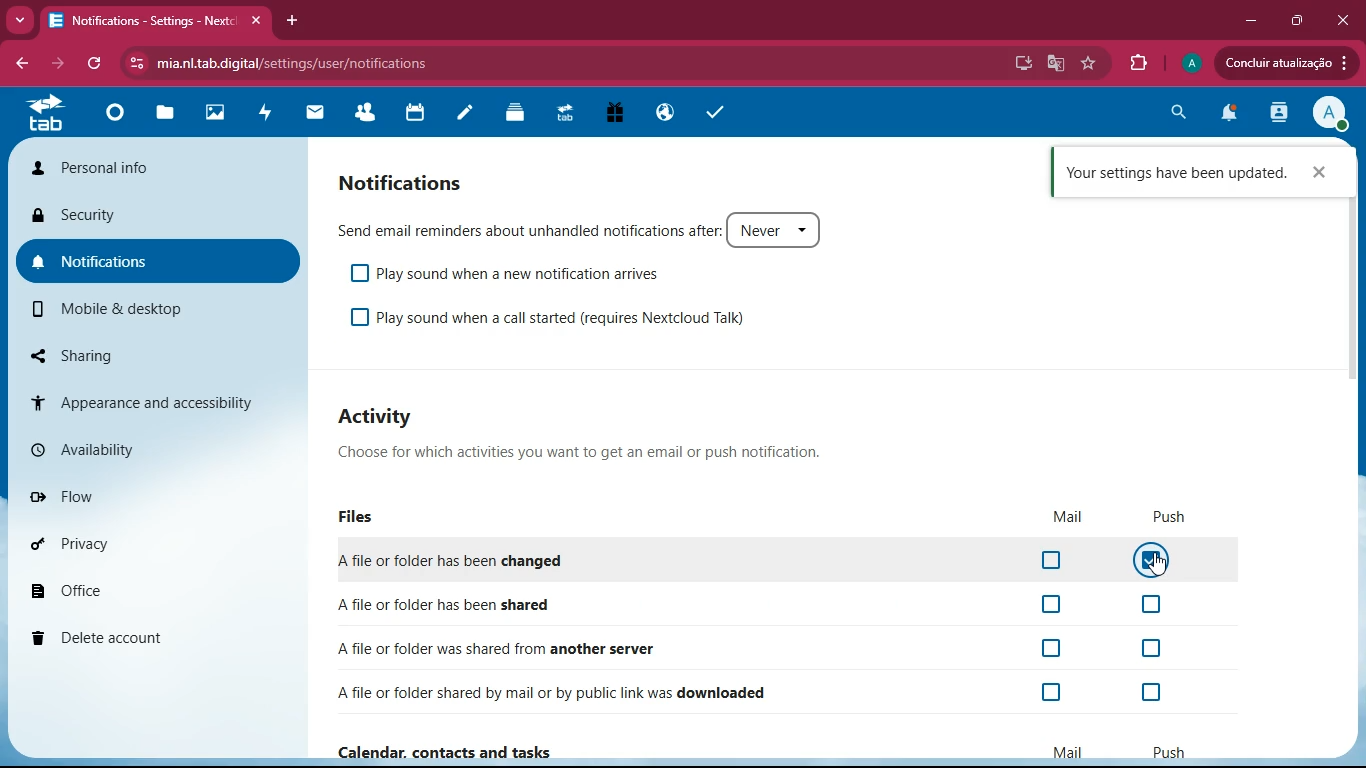 Image resolution: width=1366 pixels, height=768 pixels. What do you see at coordinates (511, 270) in the screenshot?
I see `play sound` at bounding box center [511, 270].